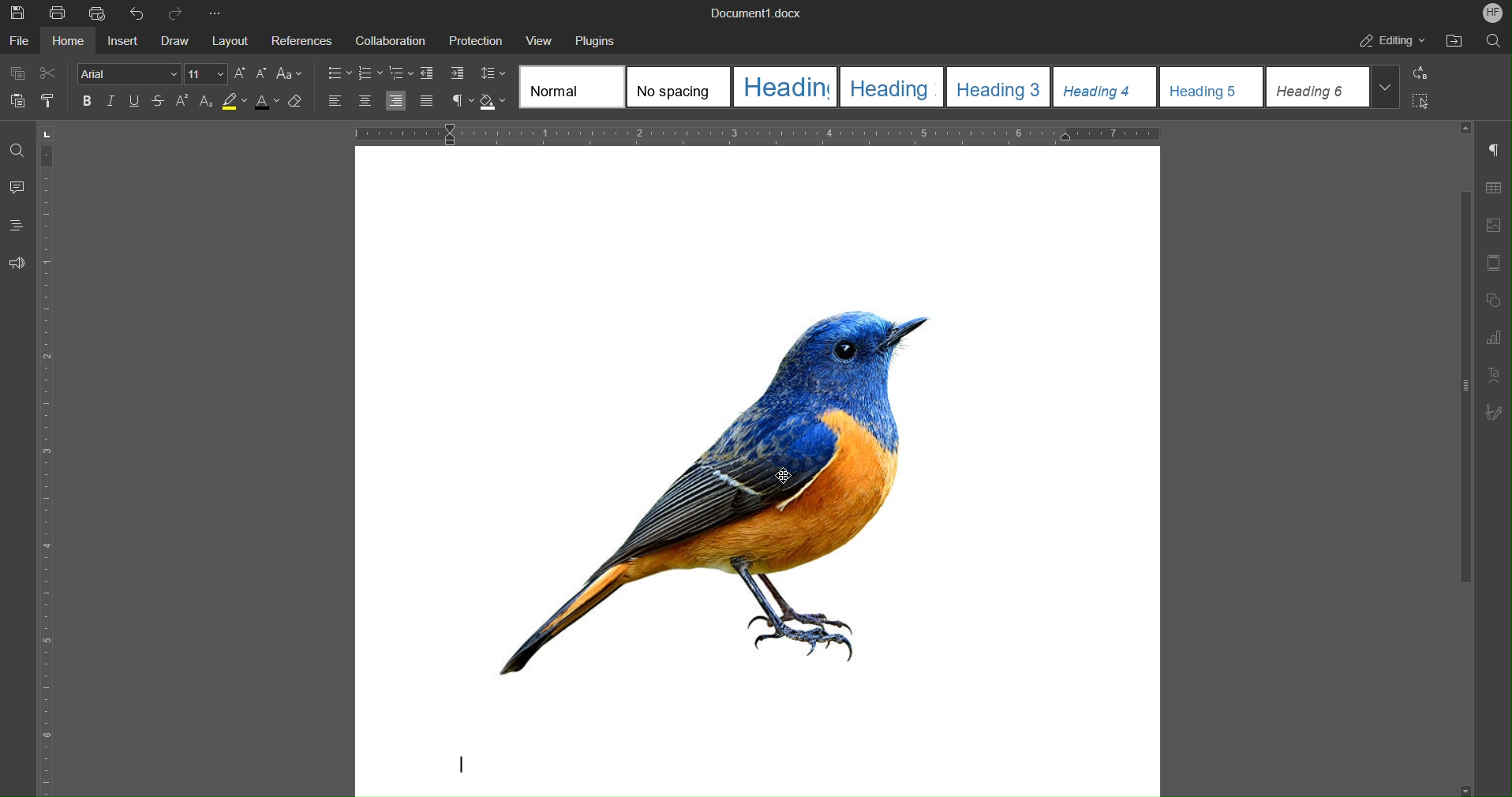  Describe the element at coordinates (124, 39) in the screenshot. I see `Insert` at that location.